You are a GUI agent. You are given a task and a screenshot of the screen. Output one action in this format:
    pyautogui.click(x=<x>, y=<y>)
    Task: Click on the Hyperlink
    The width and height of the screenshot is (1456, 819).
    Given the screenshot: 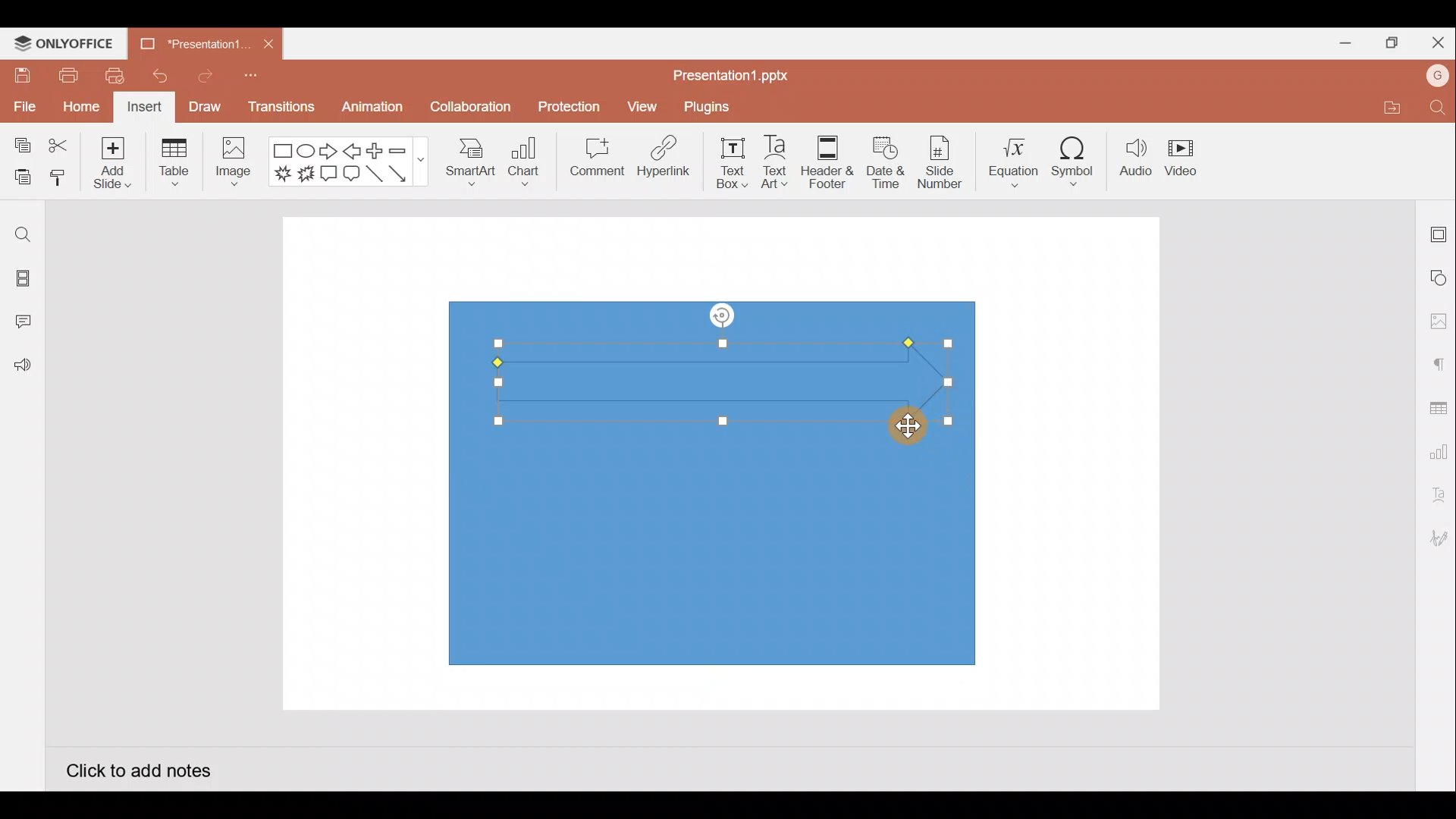 What is the action you would take?
    pyautogui.click(x=660, y=158)
    